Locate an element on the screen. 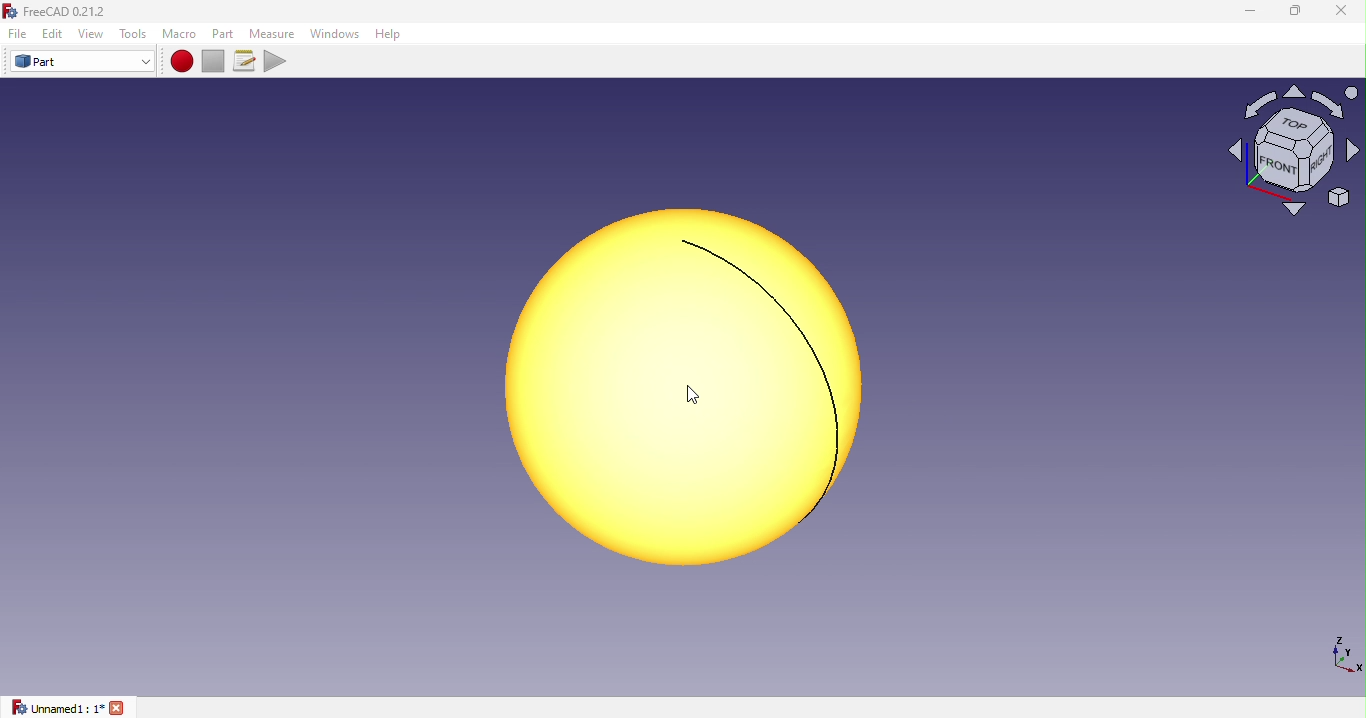 This screenshot has width=1366, height=718. Part is located at coordinates (82, 62).